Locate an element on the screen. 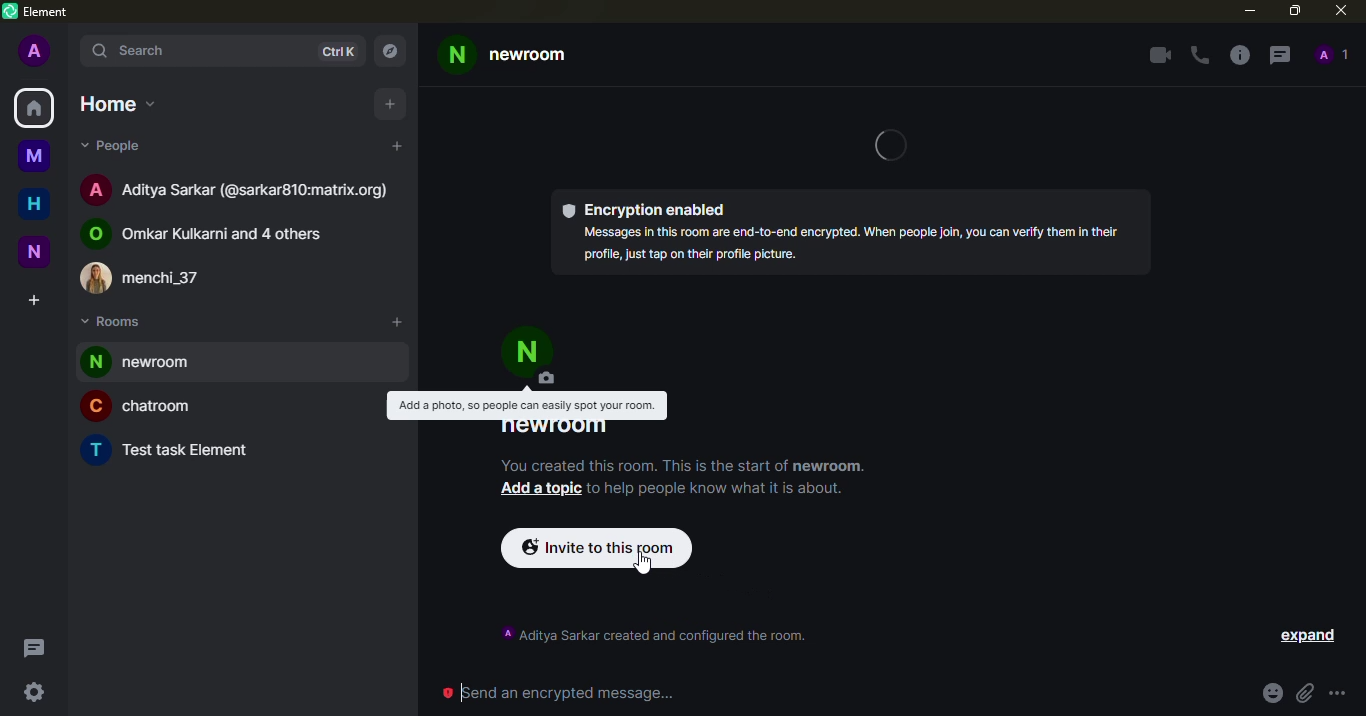 This screenshot has width=1366, height=716. attach is located at coordinates (1303, 694).